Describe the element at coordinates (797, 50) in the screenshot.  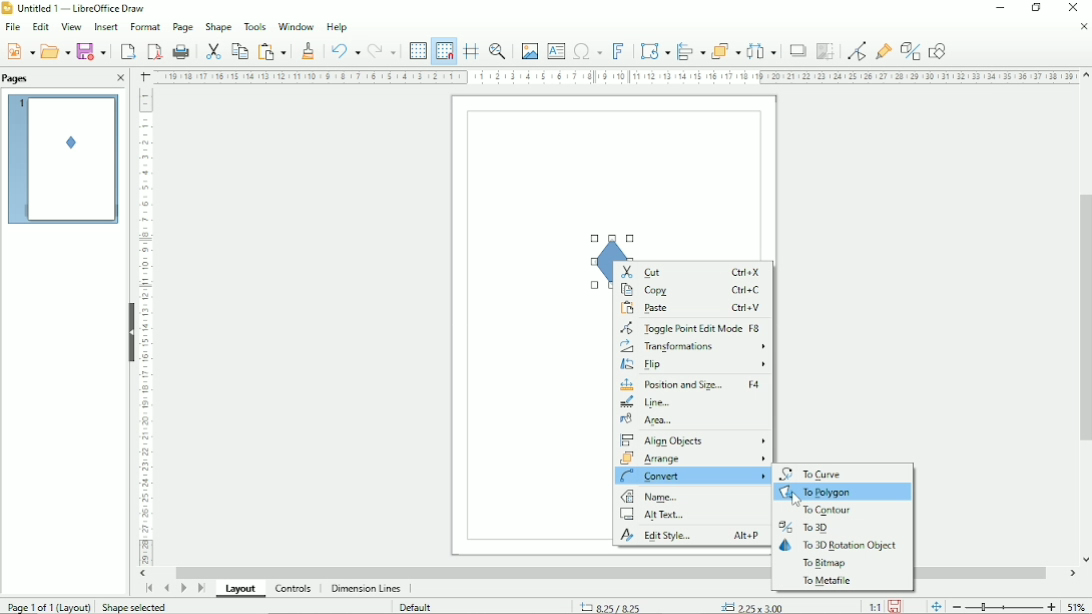
I see `Shadow` at that location.